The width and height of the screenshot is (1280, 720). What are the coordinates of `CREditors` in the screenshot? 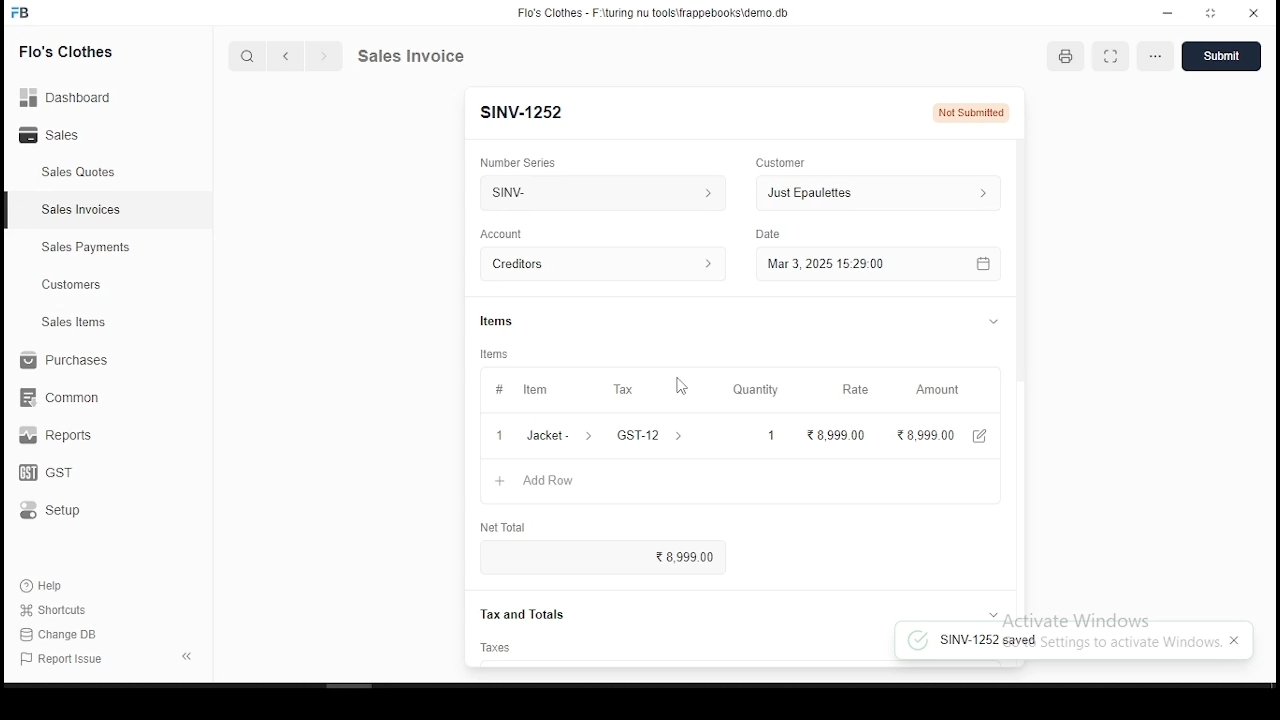 It's located at (604, 262).